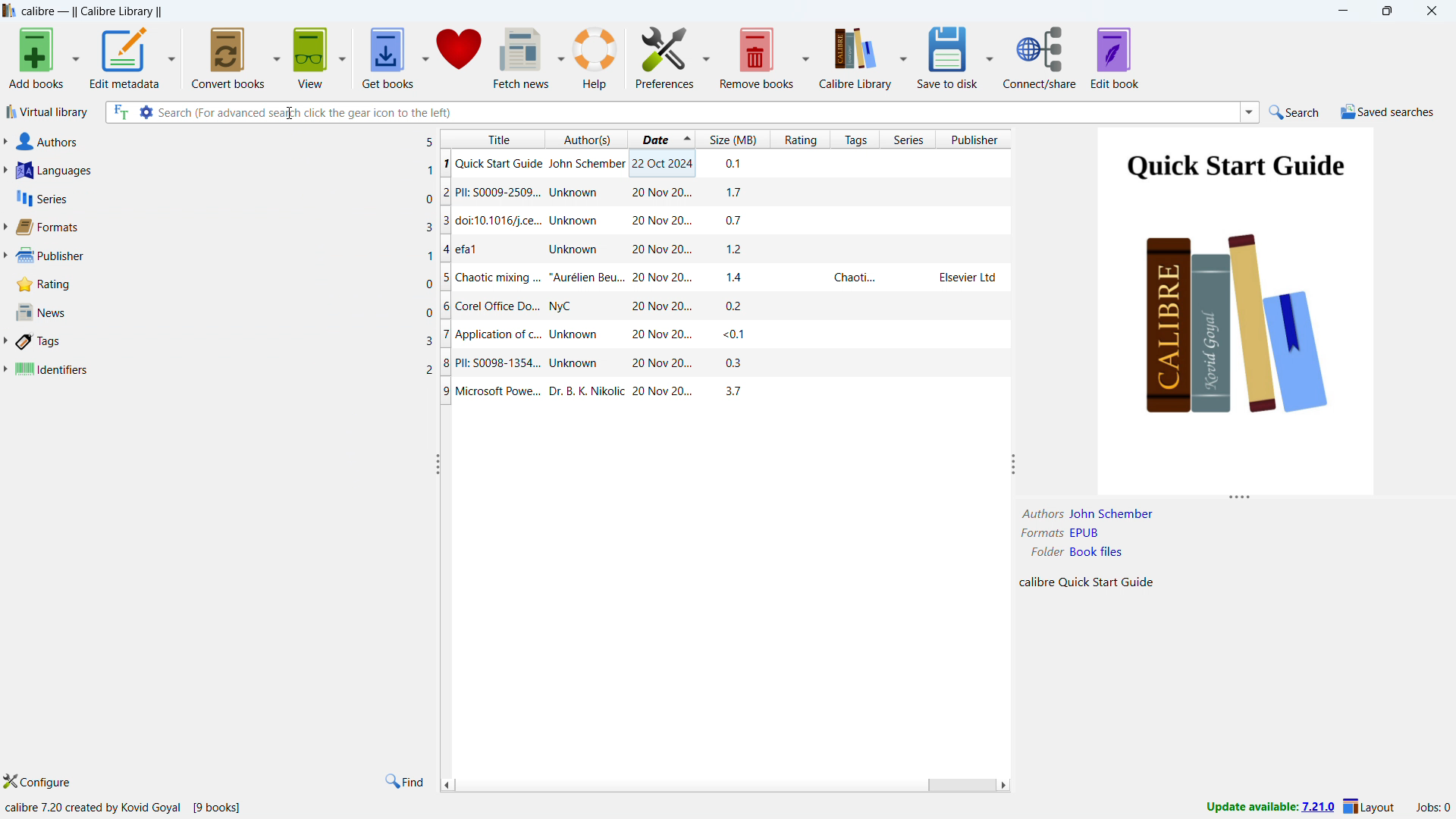 The width and height of the screenshot is (1456, 819). What do you see at coordinates (1388, 111) in the screenshot?
I see `saved searches menu` at bounding box center [1388, 111].